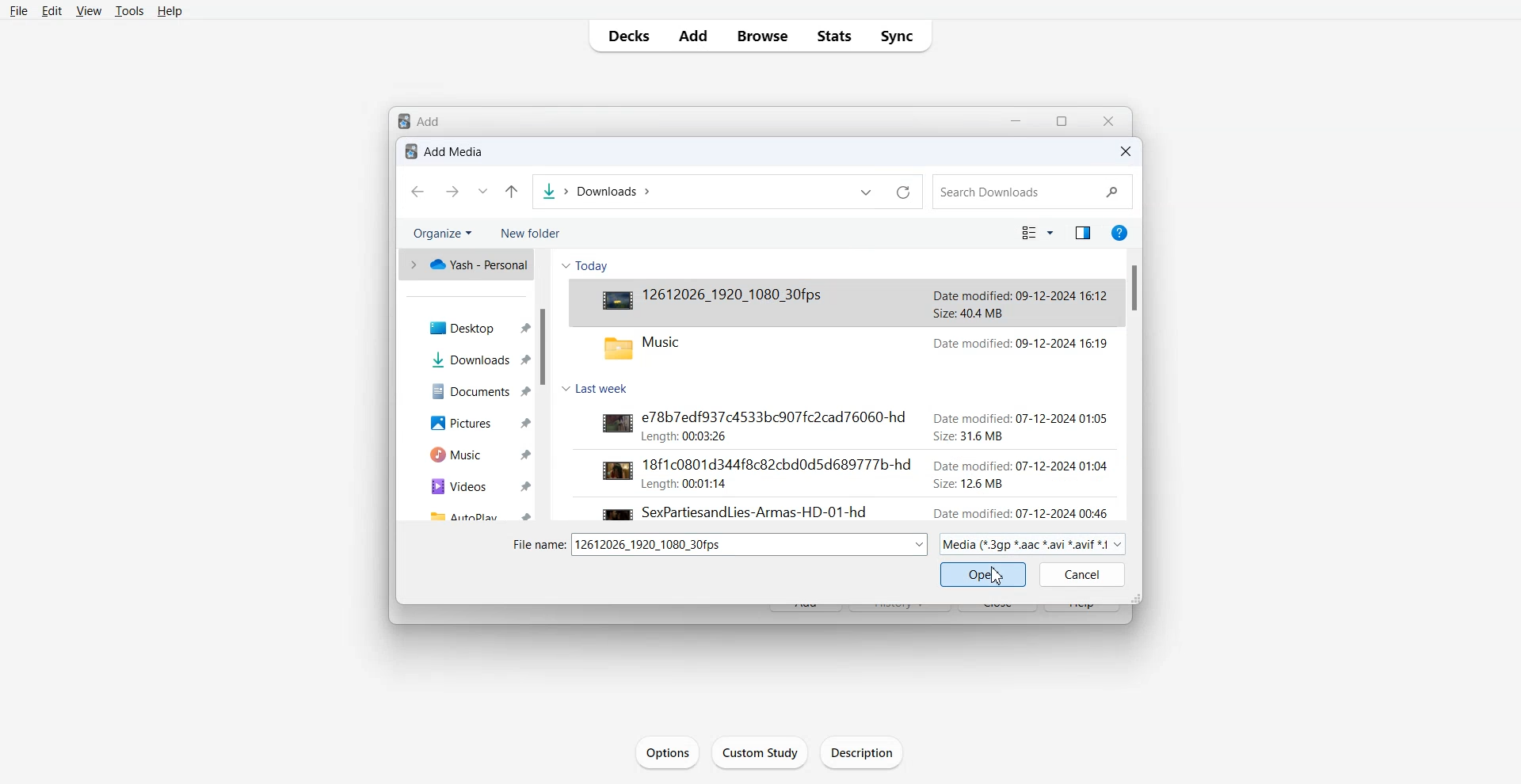 This screenshot has width=1521, height=784. Describe the element at coordinates (667, 751) in the screenshot. I see `Options` at that location.